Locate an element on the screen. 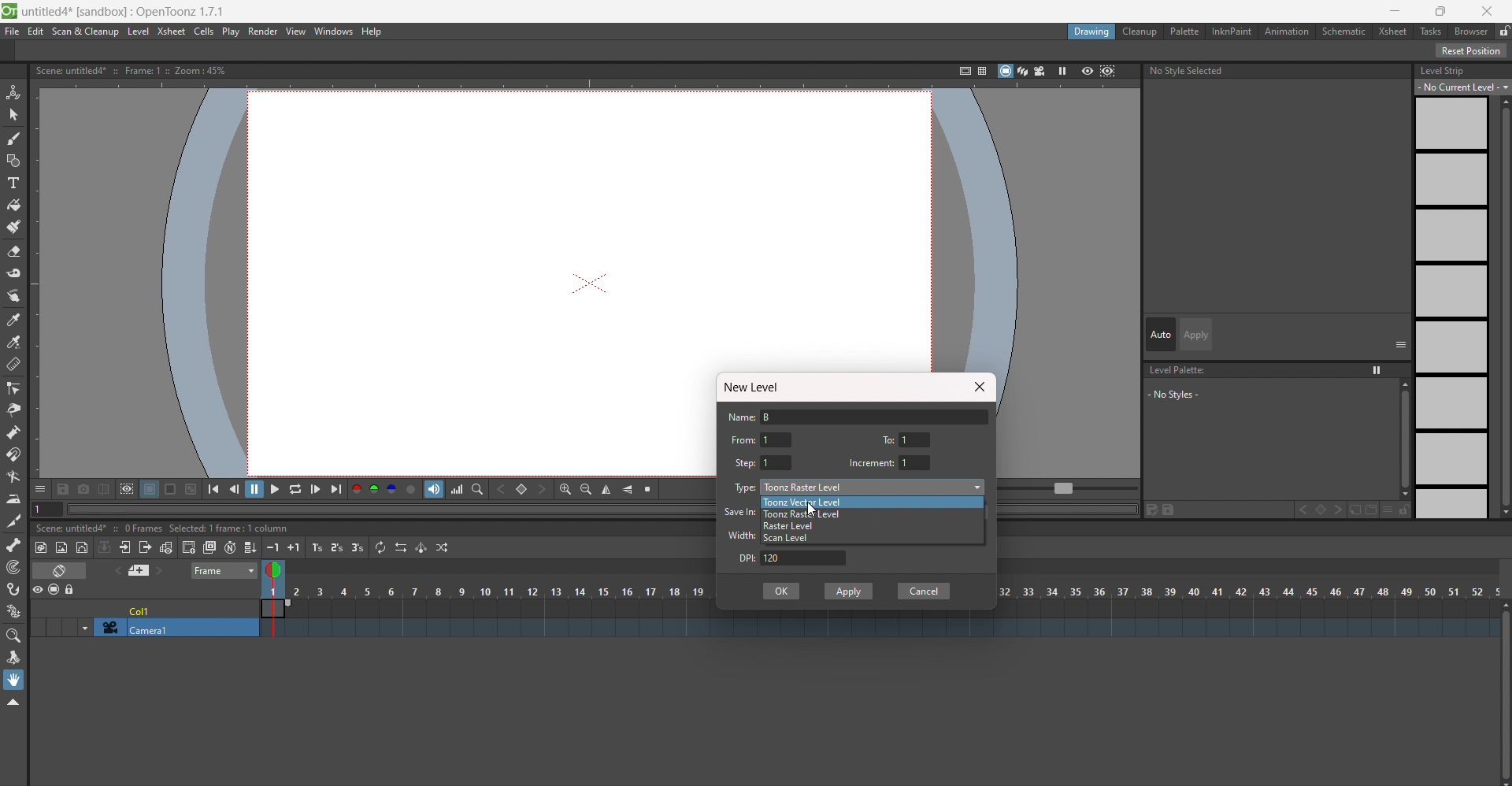 Image resolution: width=1512 pixels, height=786 pixels. 1 is located at coordinates (777, 462).